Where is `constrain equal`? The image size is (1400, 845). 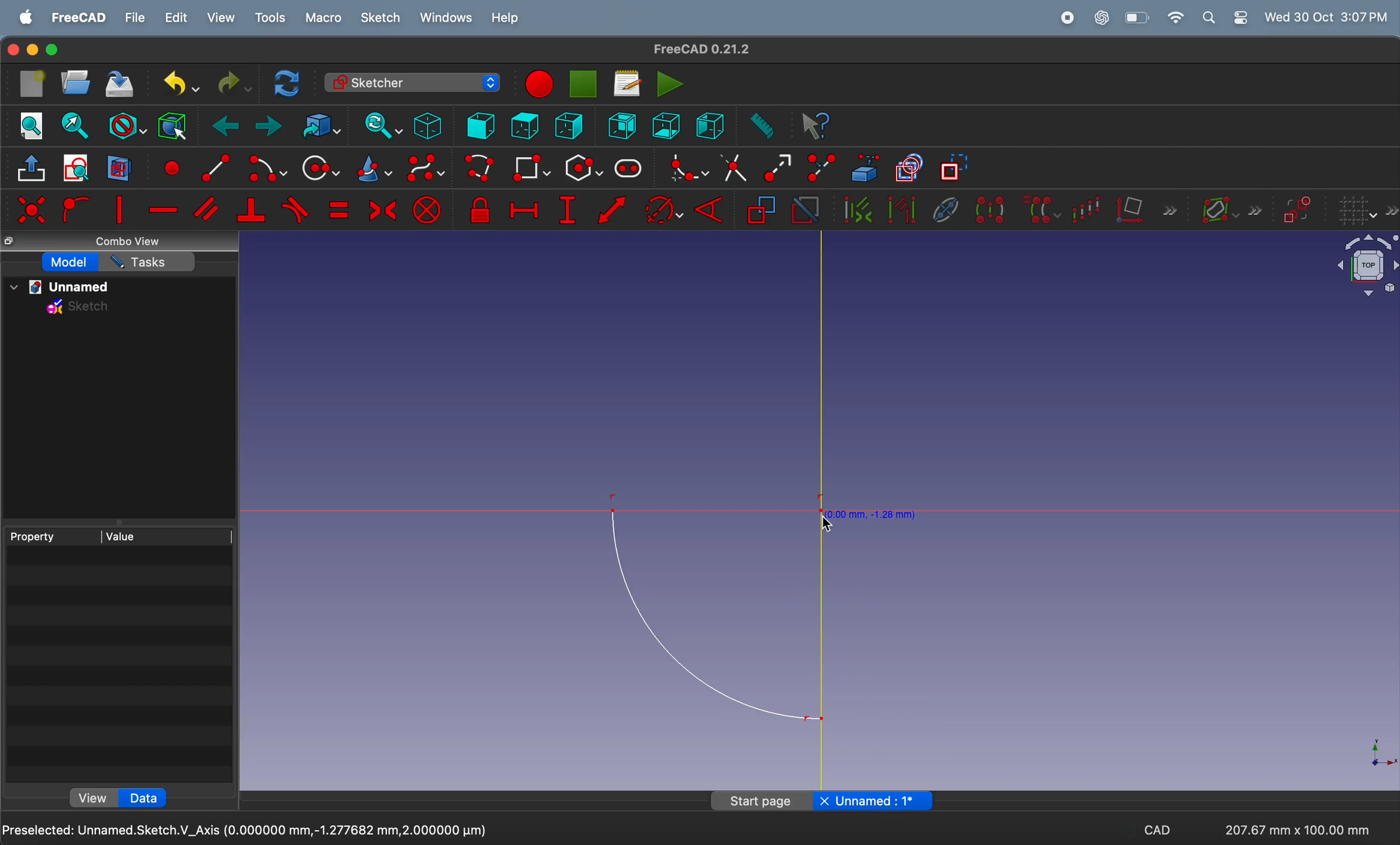
constrain equal is located at coordinates (338, 210).